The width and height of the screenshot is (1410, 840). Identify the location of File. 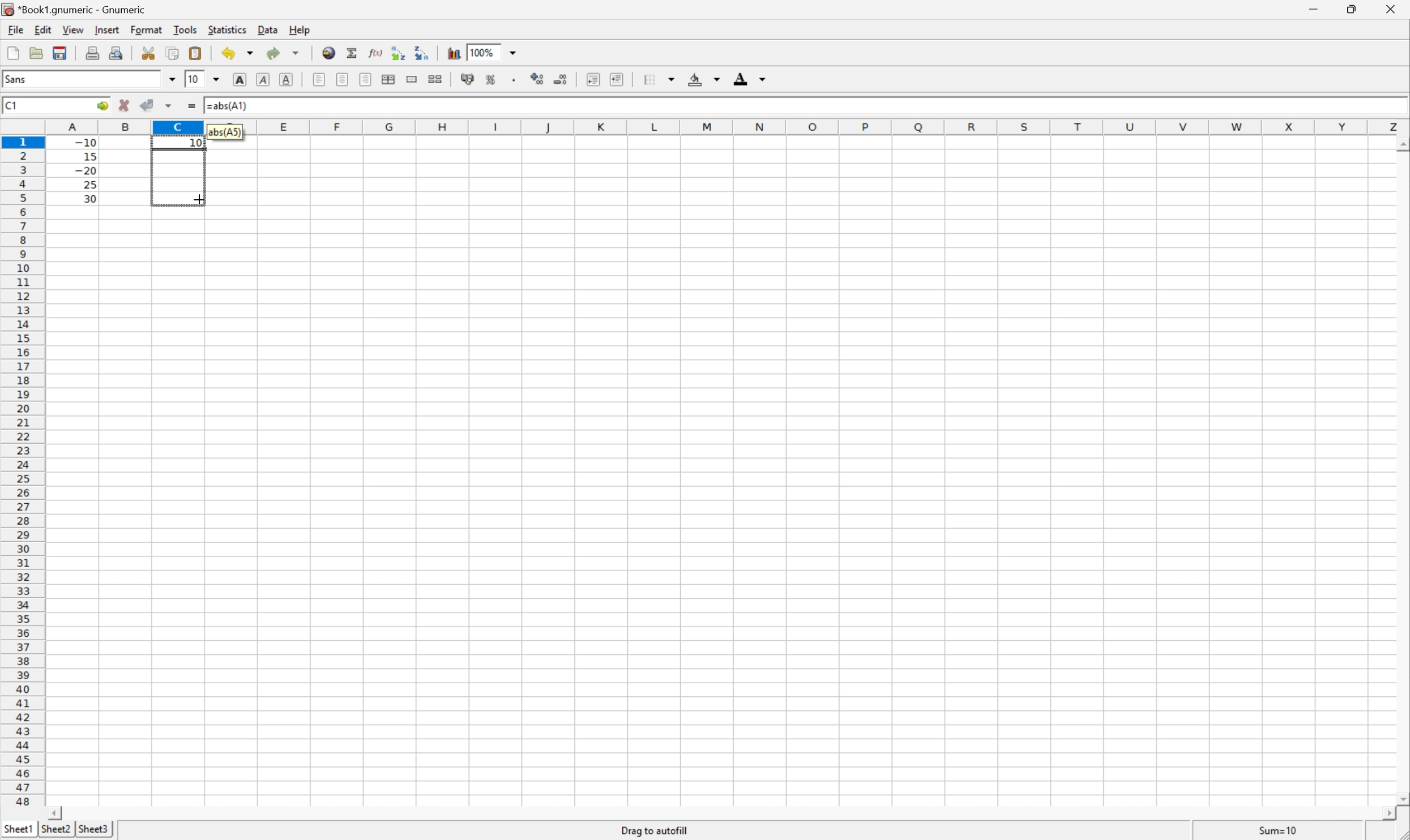
(14, 30).